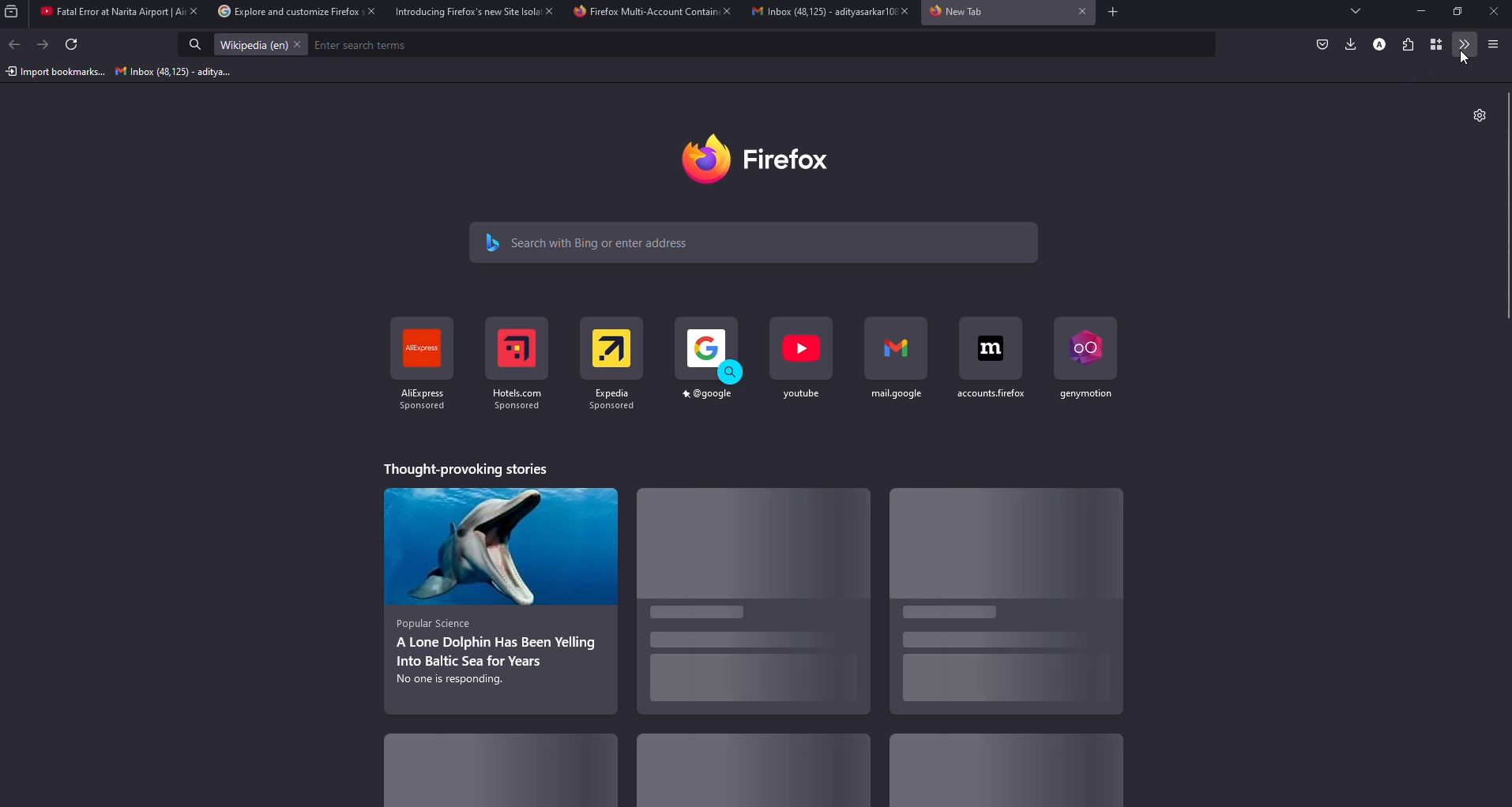 The image size is (1512, 807). What do you see at coordinates (814, 13) in the screenshot?
I see `tab` at bounding box center [814, 13].